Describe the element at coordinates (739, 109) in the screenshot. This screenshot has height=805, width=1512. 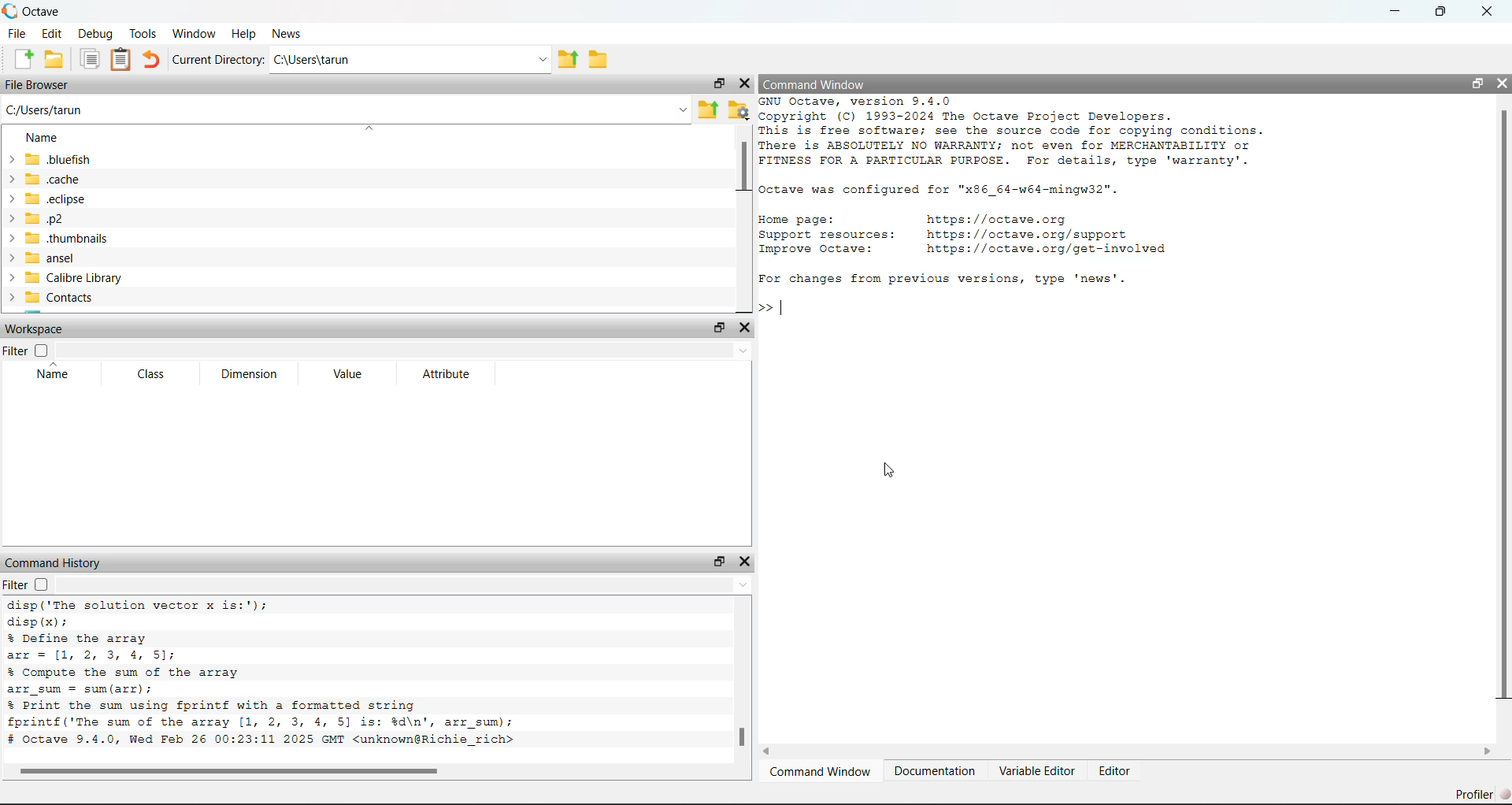
I see `Directory settings` at that location.